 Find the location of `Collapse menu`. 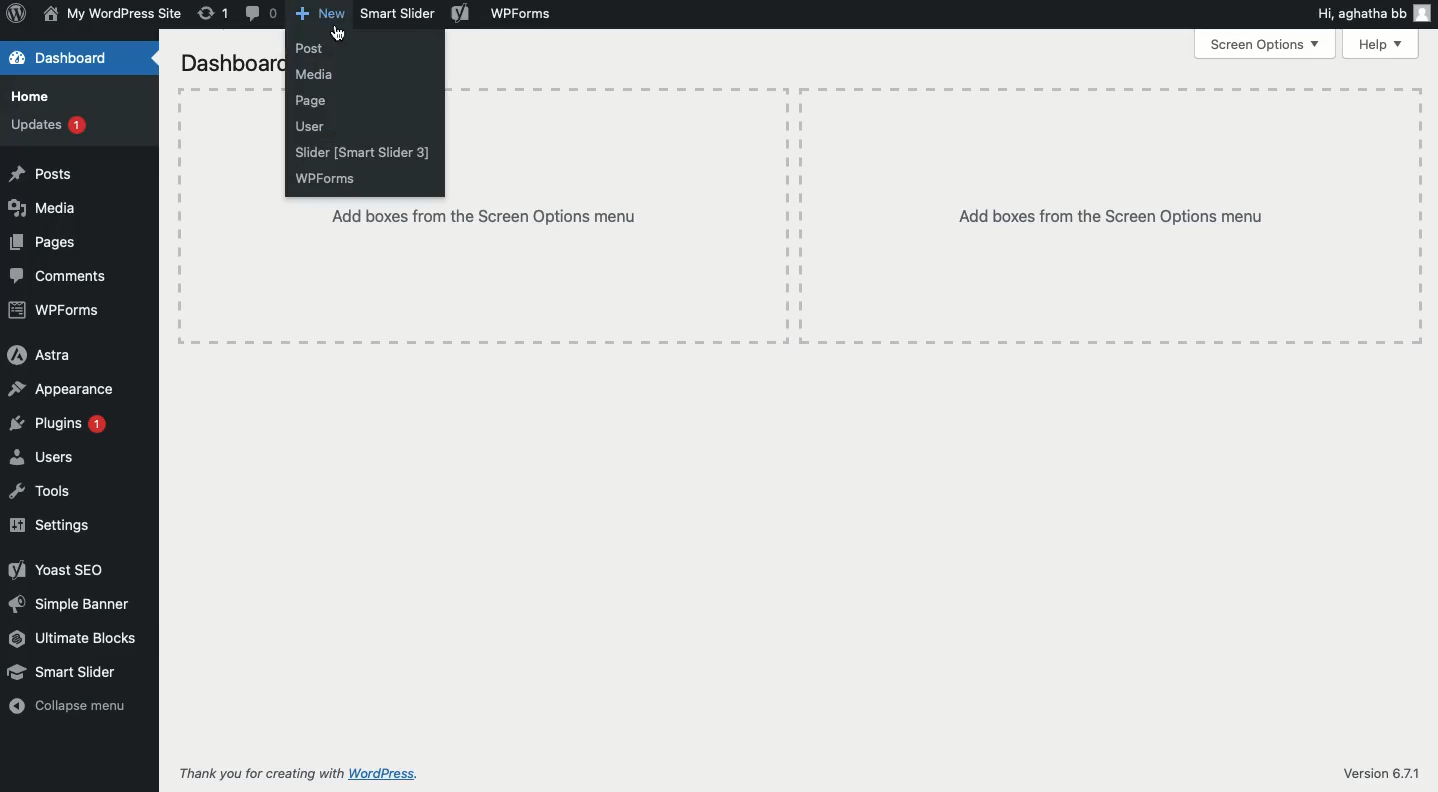

Collapse menu is located at coordinates (66, 705).